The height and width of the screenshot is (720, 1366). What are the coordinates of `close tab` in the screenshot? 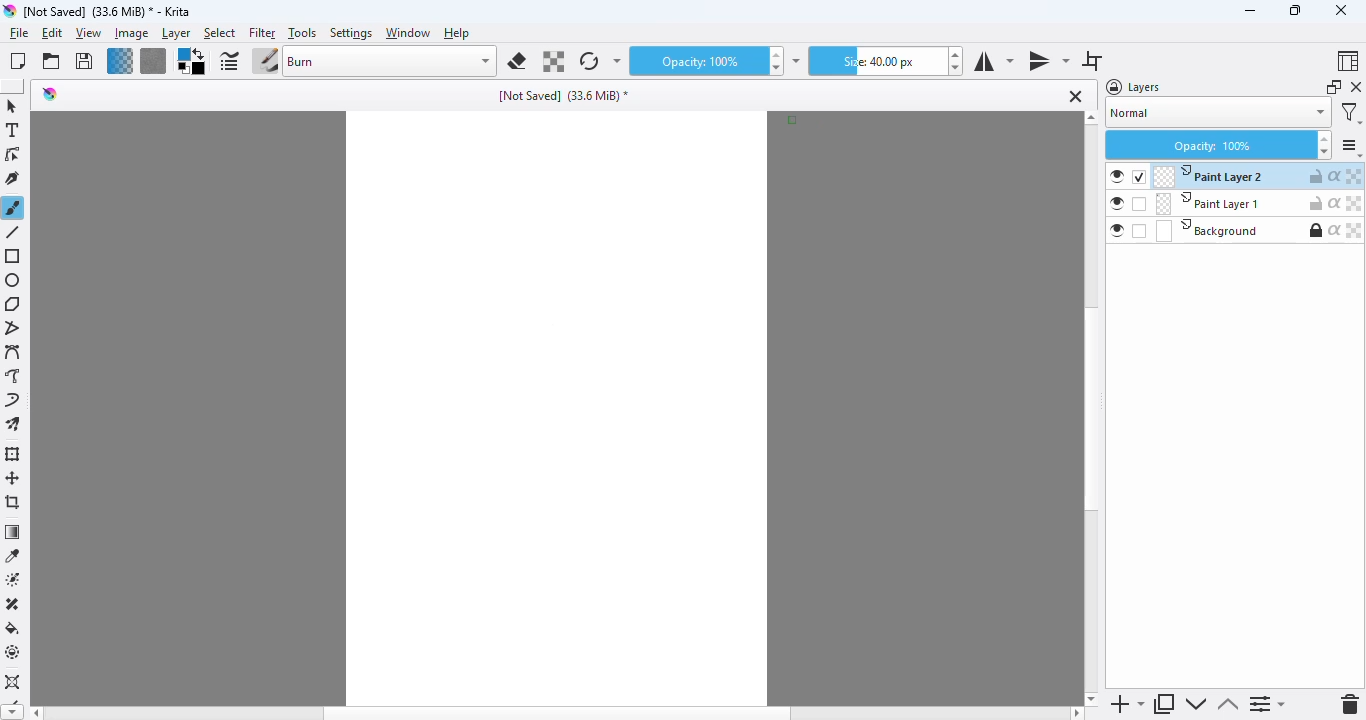 It's located at (1076, 96).